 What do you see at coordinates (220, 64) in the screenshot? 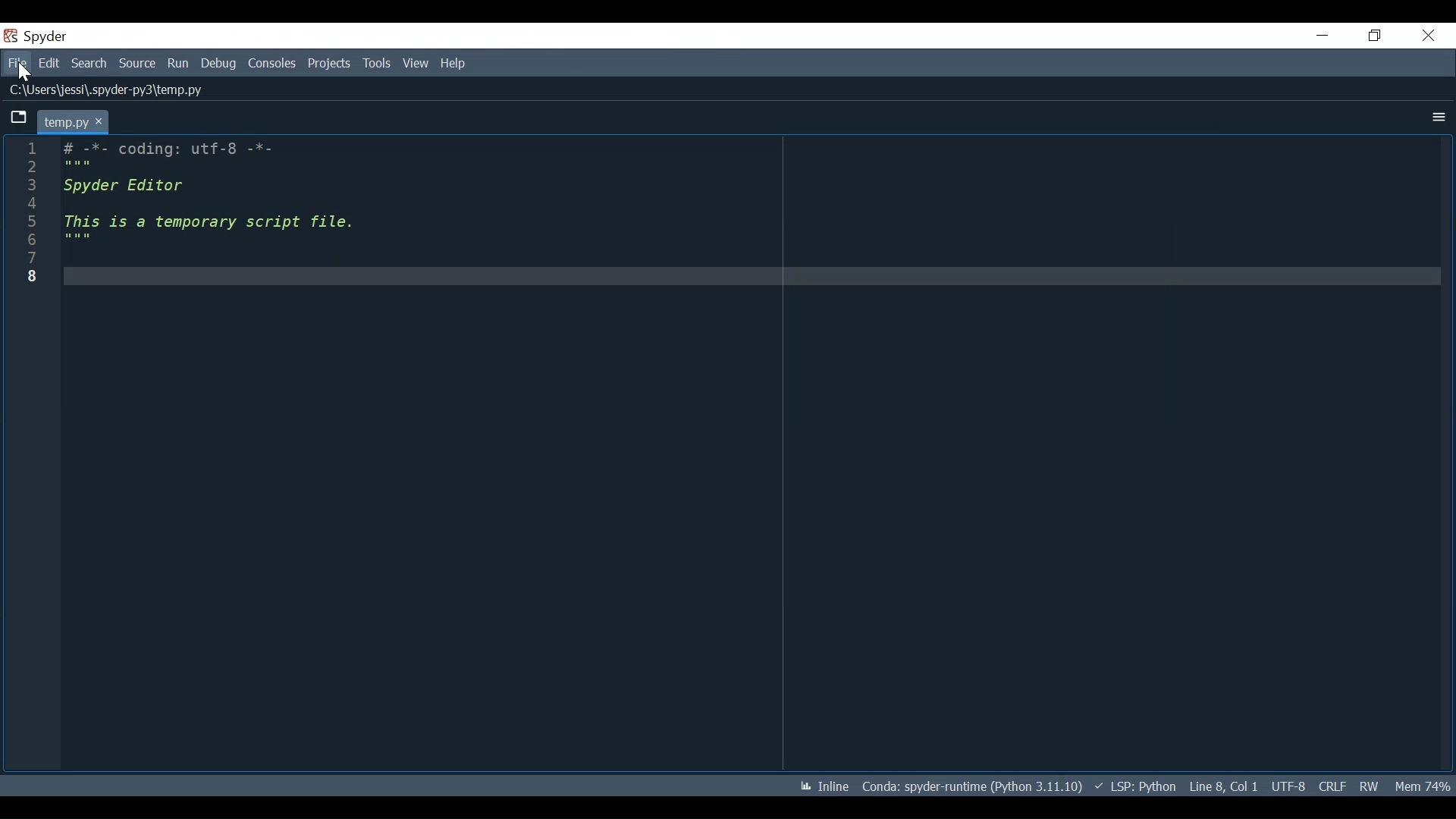
I see `Debug` at bounding box center [220, 64].